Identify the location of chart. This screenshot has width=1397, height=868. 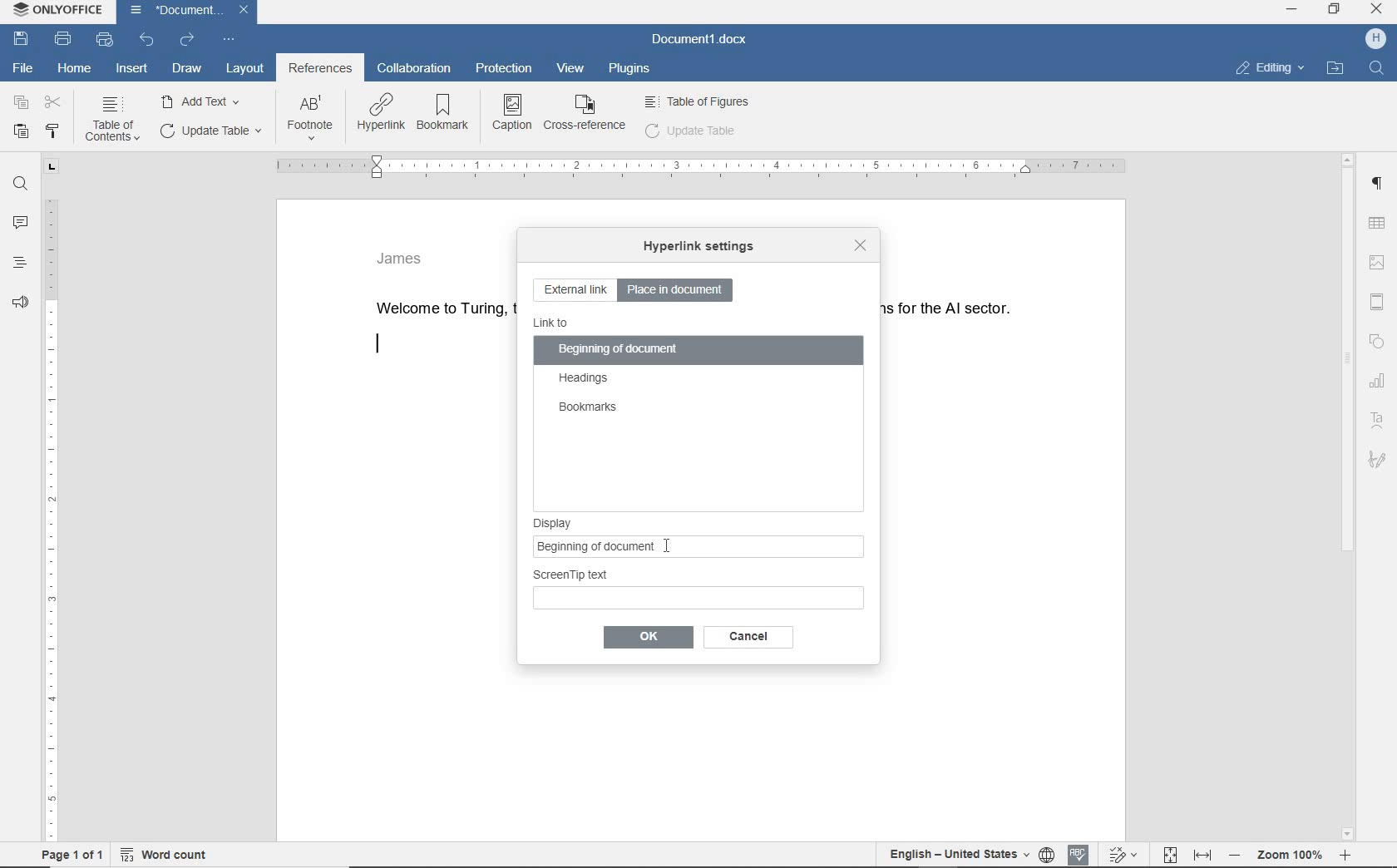
(1379, 383).